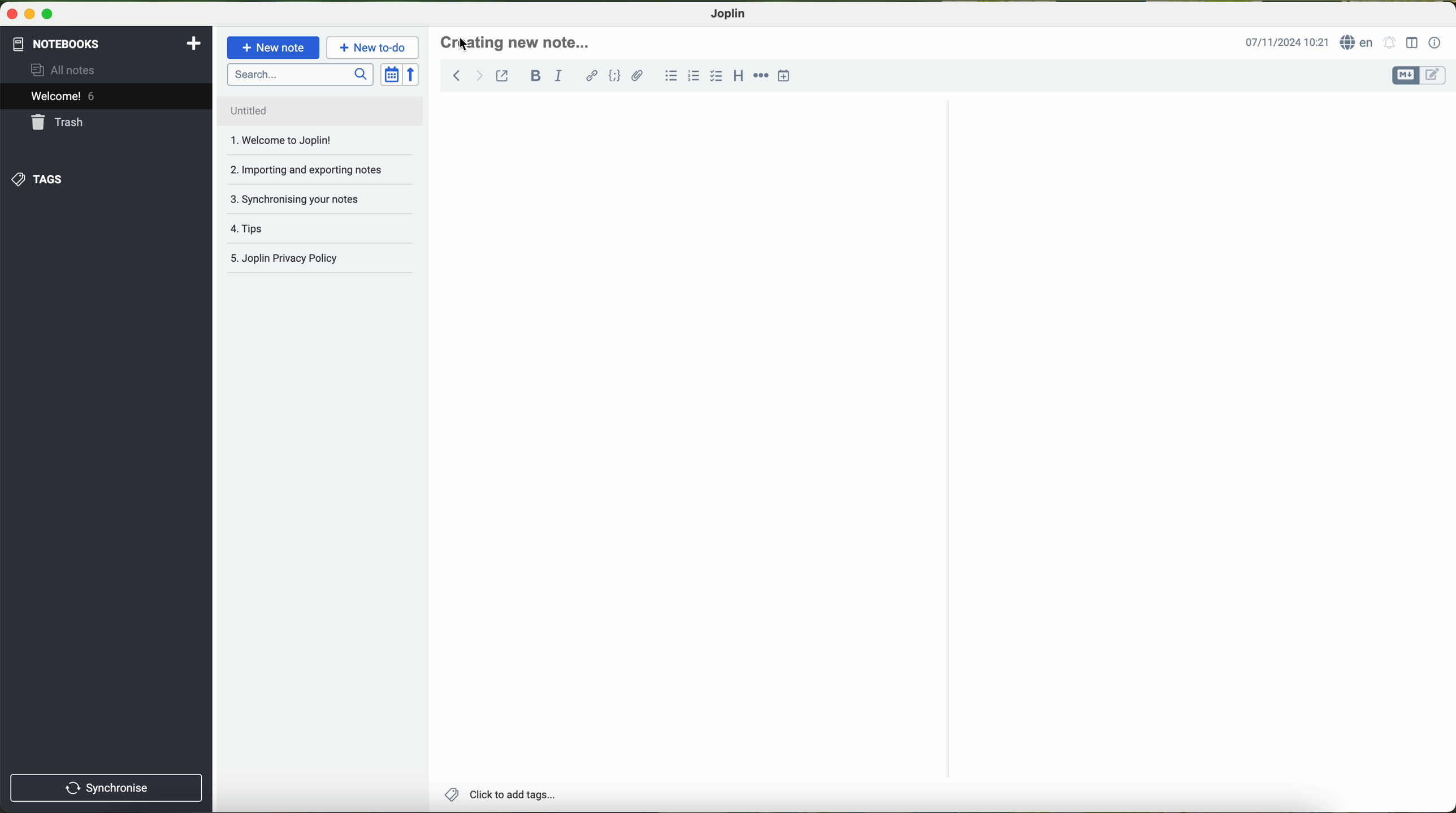 The width and height of the screenshot is (1456, 813). I want to click on bulleted list, so click(671, 75).